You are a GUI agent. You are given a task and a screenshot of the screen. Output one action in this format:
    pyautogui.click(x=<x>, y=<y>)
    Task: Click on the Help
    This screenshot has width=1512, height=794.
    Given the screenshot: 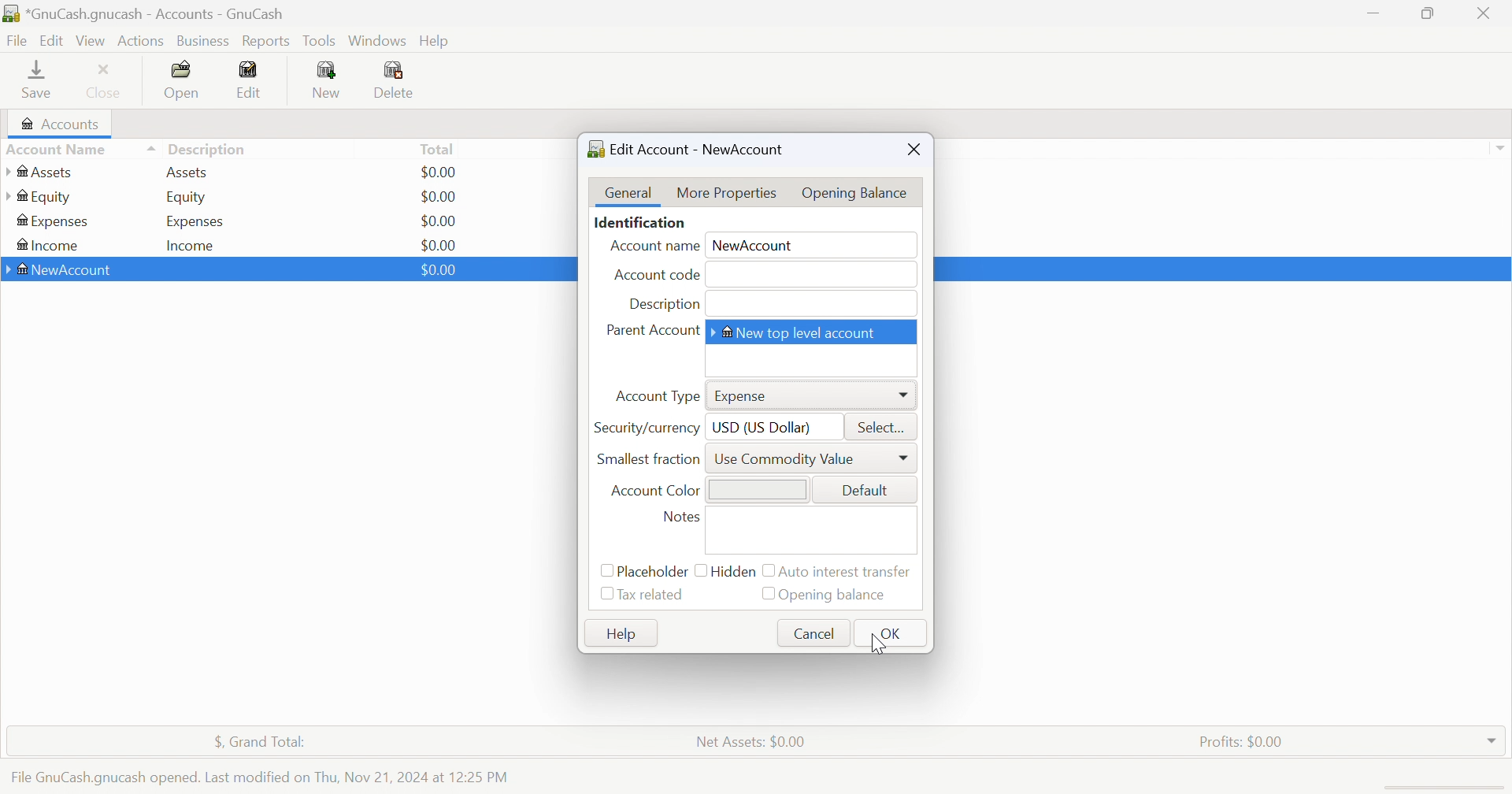 What is the action you would take?
    pyautogui.click(x=618, y=633)
    